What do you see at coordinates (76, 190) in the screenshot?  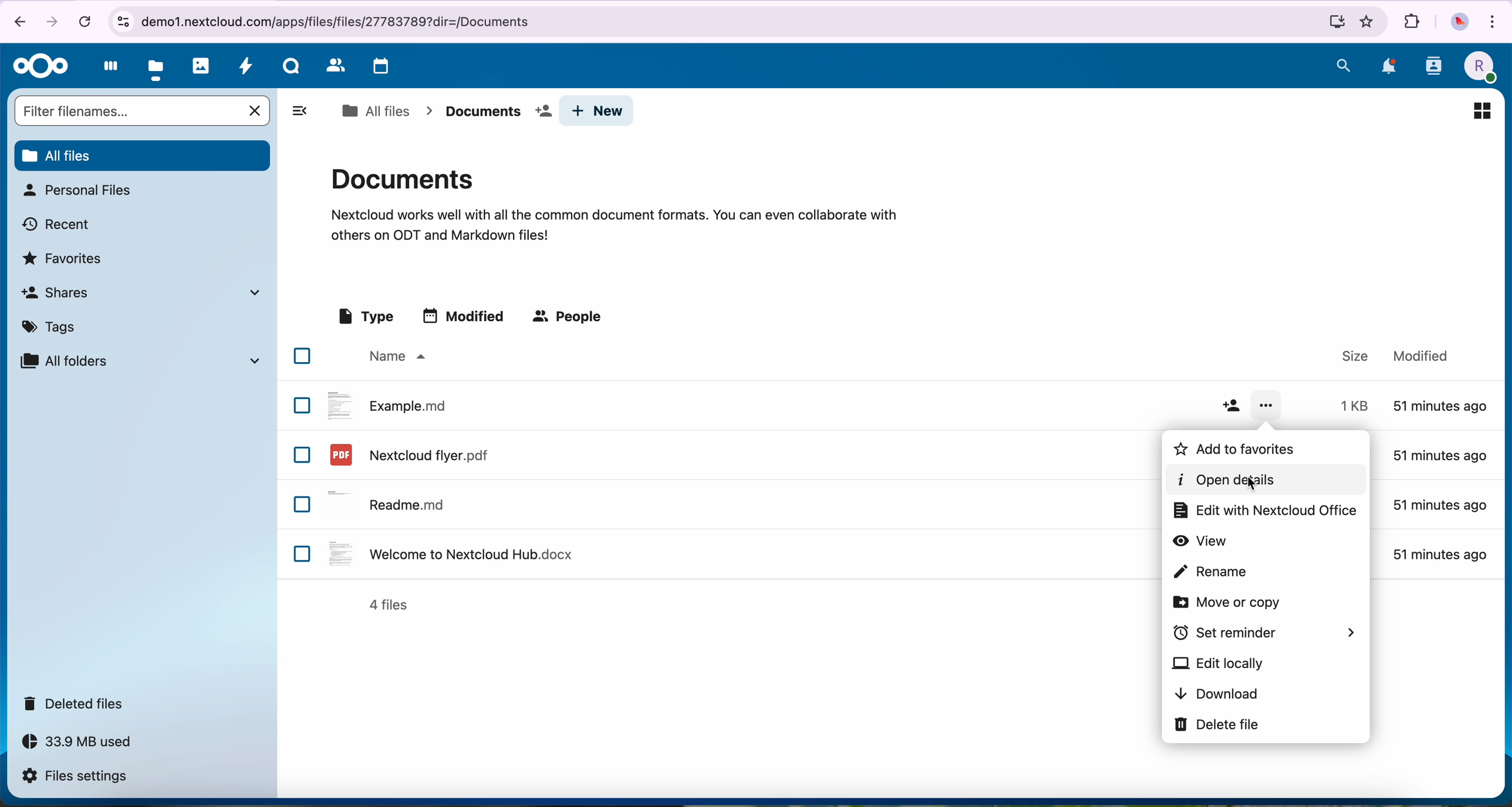 I see `personal files` at bounding box center [76, 190].